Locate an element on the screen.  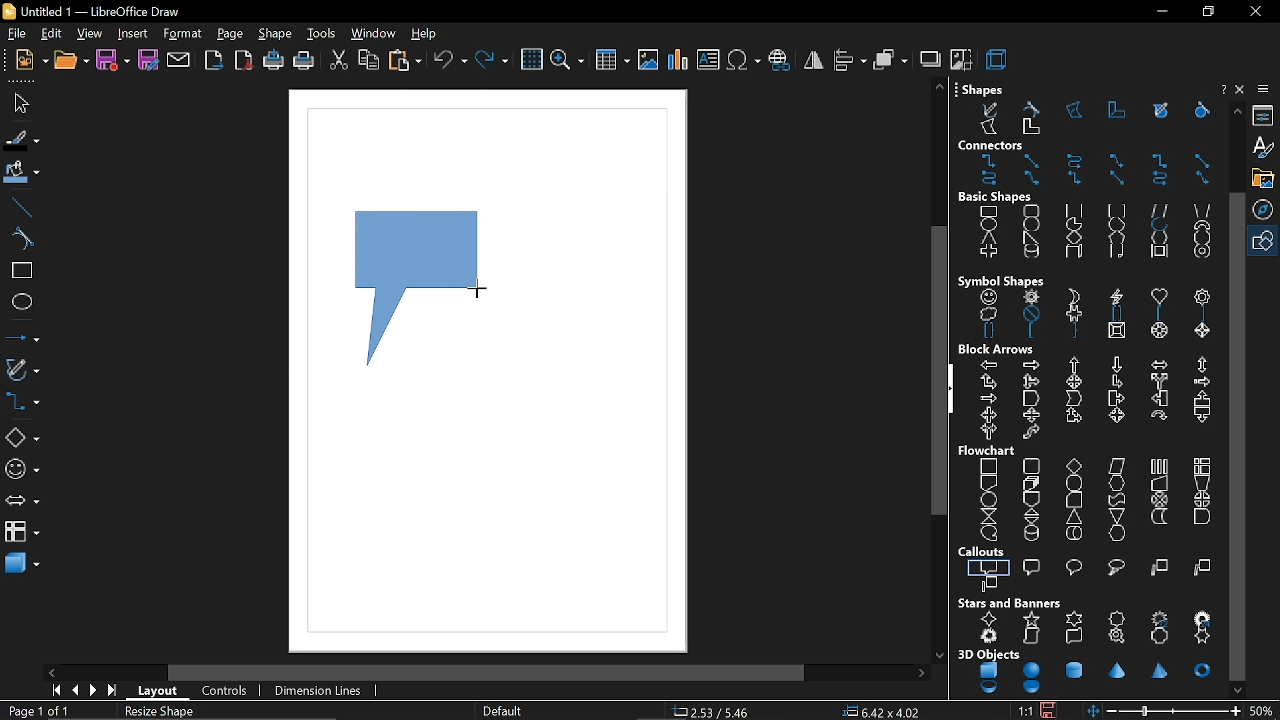
up and right arrow is located at coordinates (989, 381).